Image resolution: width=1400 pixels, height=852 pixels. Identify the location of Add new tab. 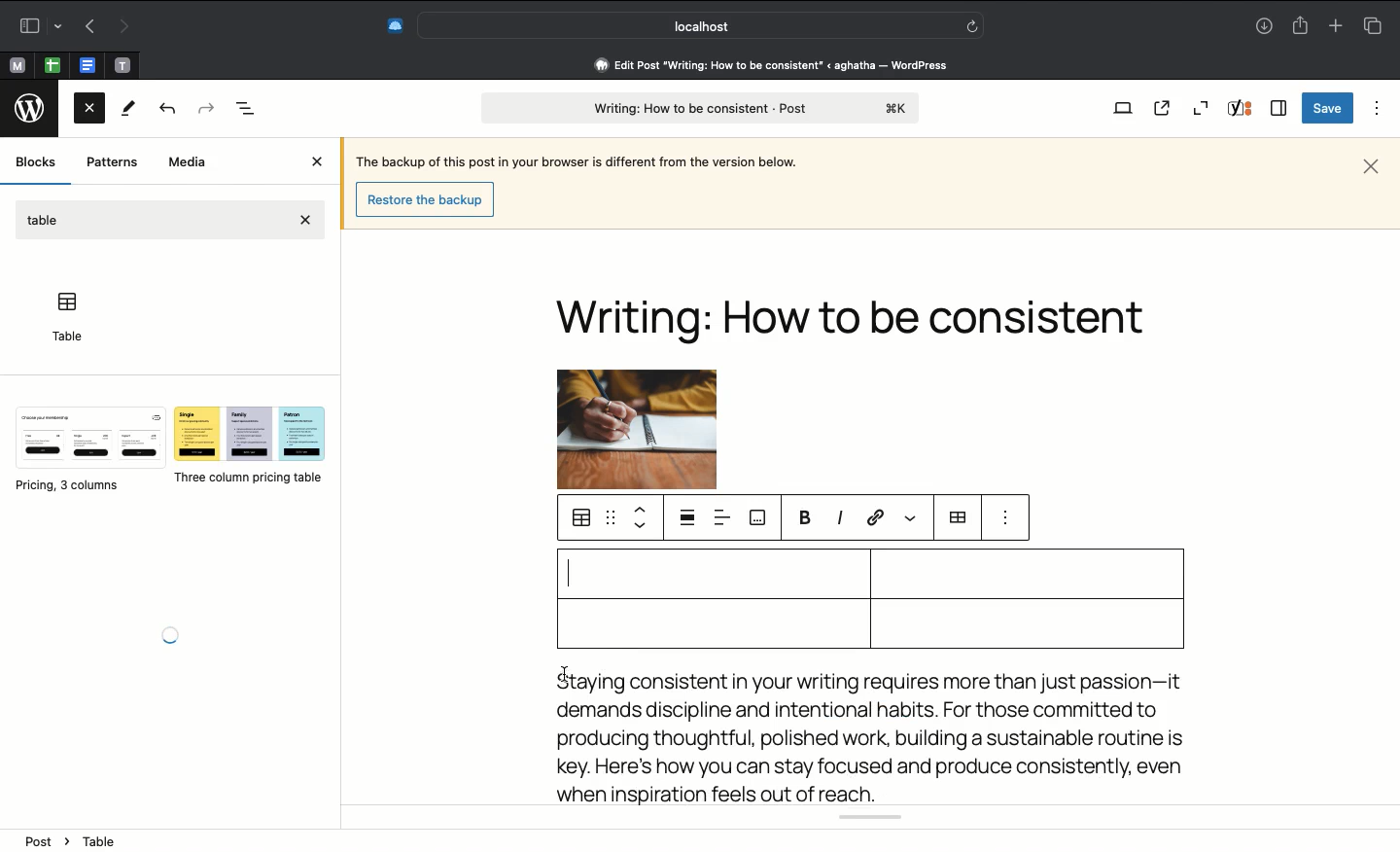
(1338, 25).